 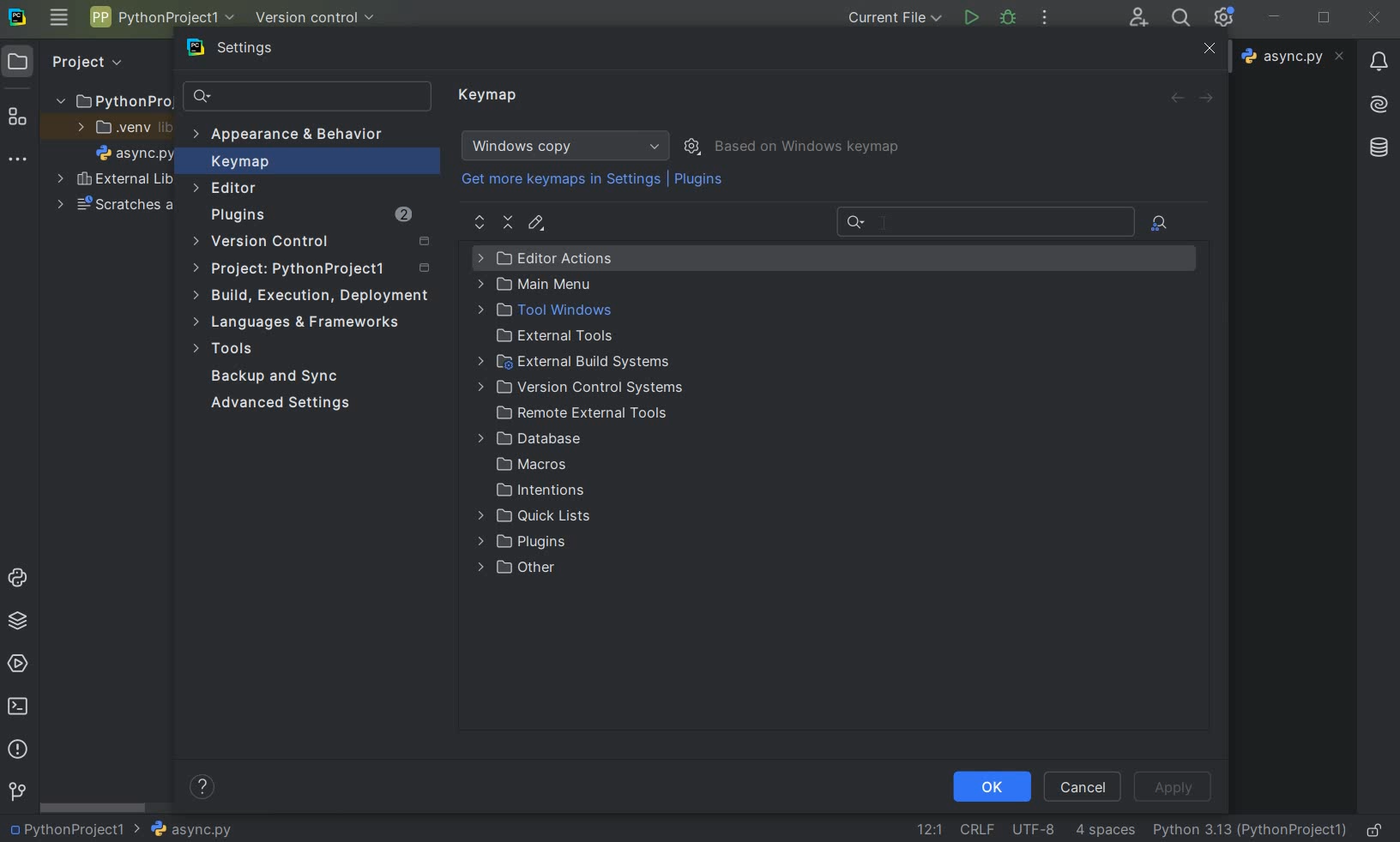 I want to click on project icon, so click(x=18, y=60).